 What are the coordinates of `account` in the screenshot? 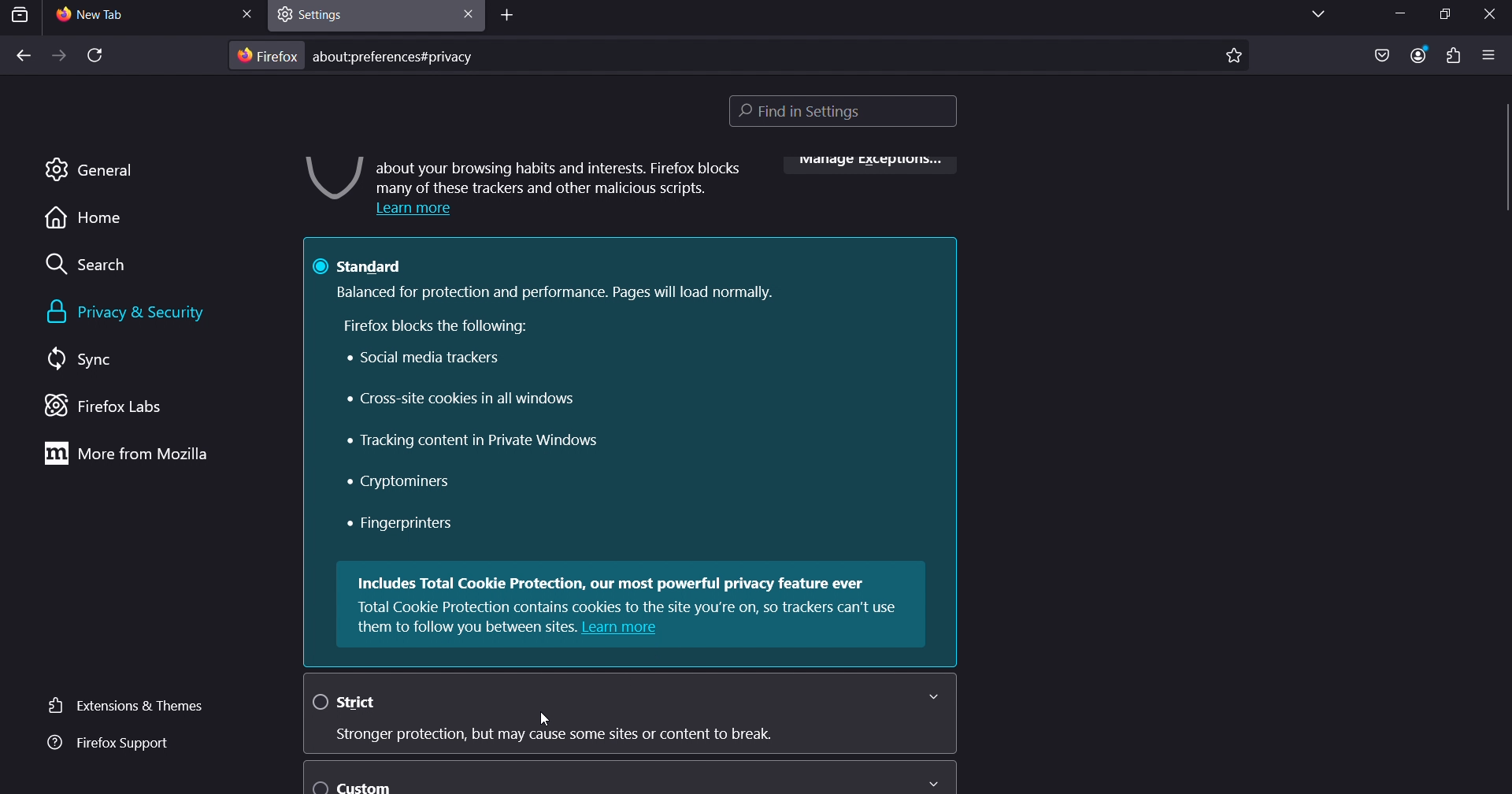 It's located at (1418, 54).